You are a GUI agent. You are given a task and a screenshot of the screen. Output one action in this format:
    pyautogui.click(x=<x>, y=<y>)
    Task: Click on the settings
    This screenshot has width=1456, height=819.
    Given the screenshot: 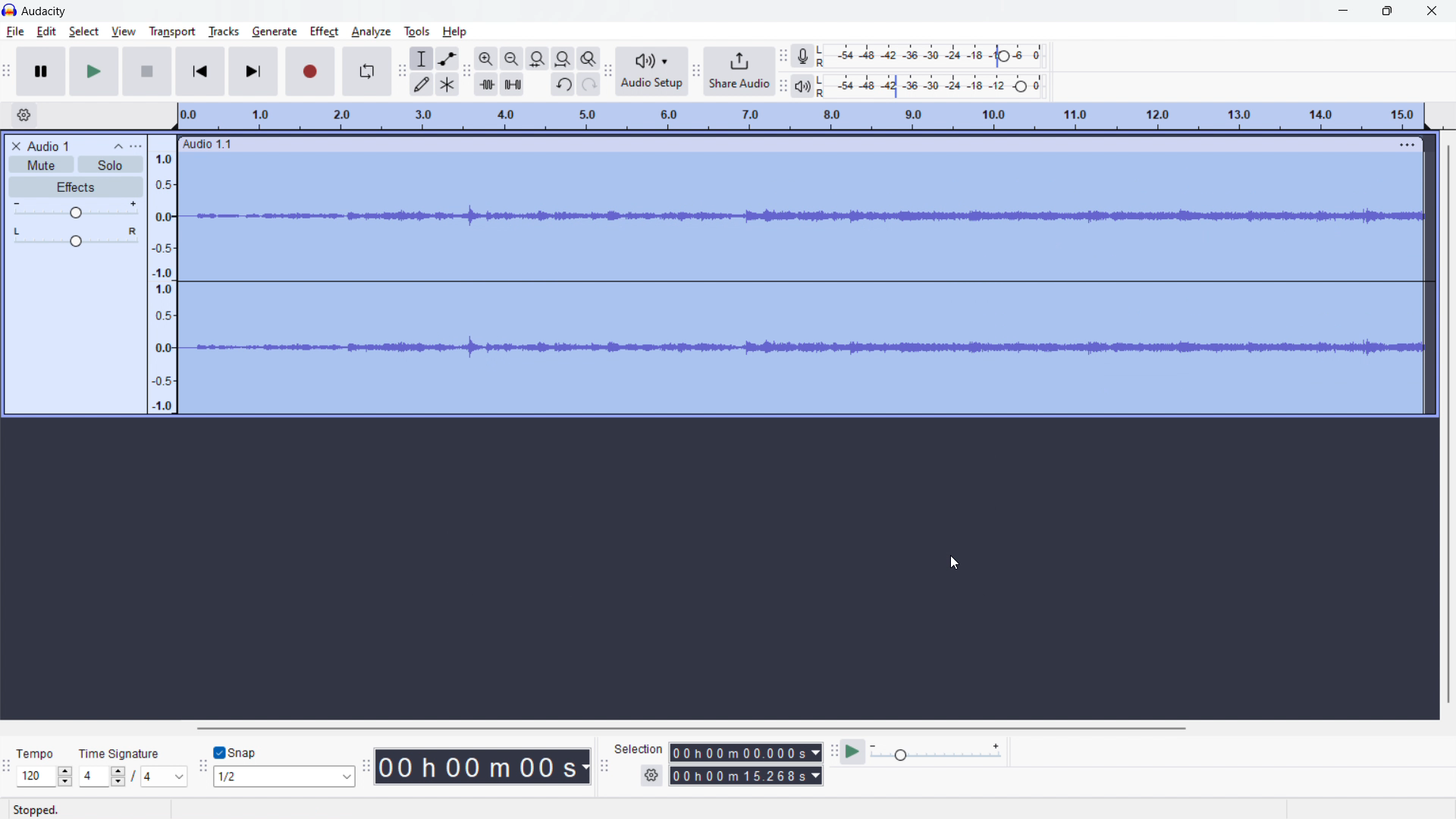 What is the action you would take?
    pyautogui.click(x=651, y=776)
    